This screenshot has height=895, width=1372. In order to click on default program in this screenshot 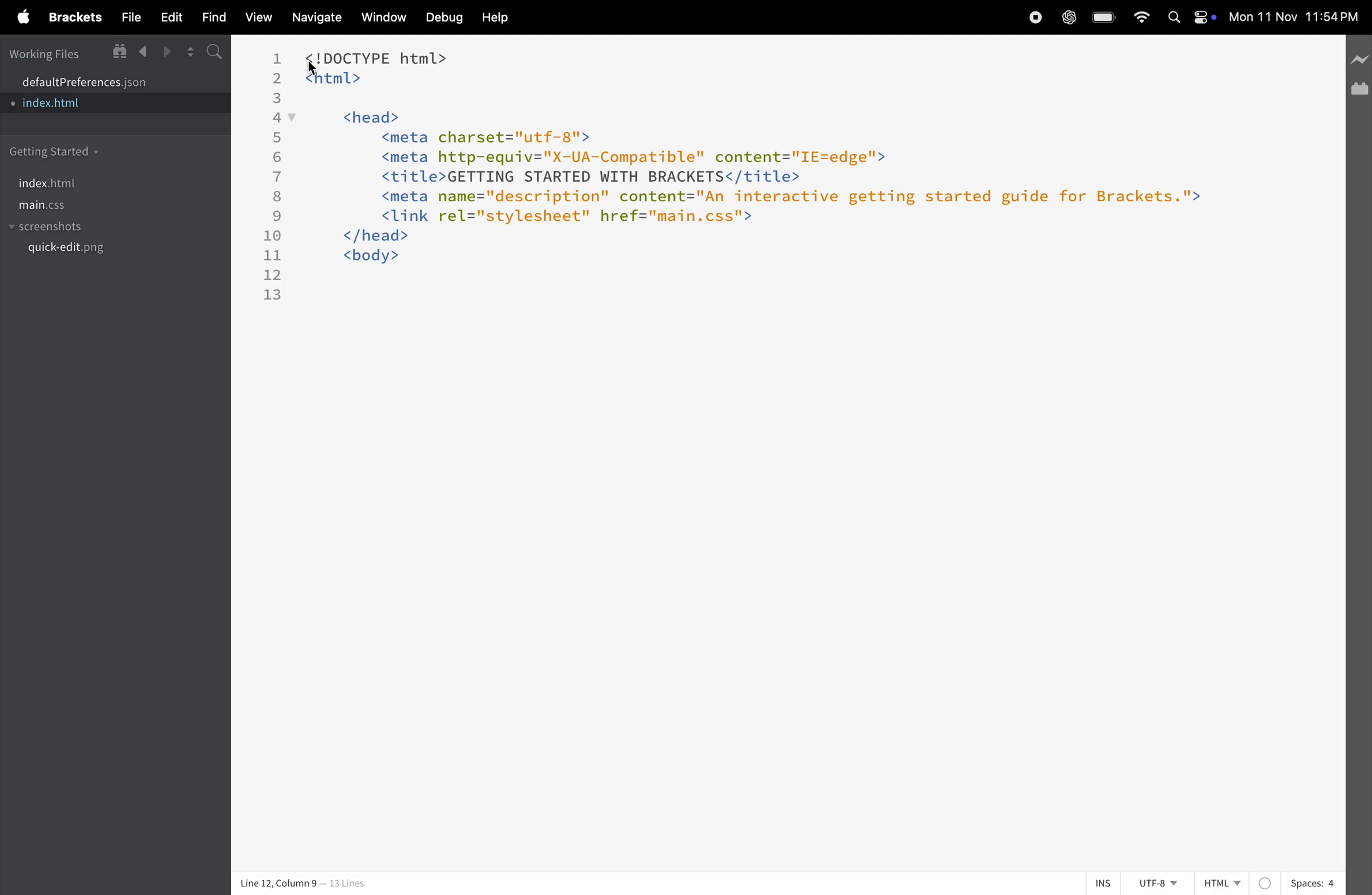, I will do `click(105, 80)`.